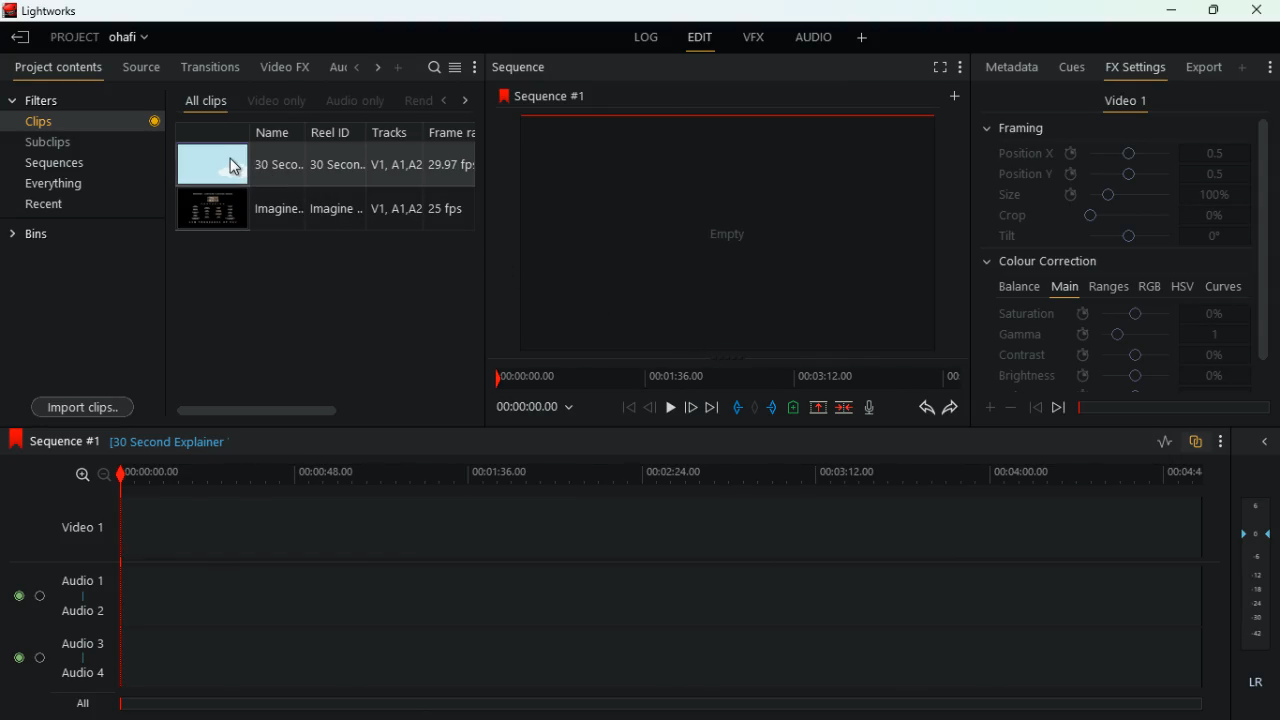  What do you see at coordinates (774, 409) in the screenshot?
I see `push` at bounding box center [774, 409].